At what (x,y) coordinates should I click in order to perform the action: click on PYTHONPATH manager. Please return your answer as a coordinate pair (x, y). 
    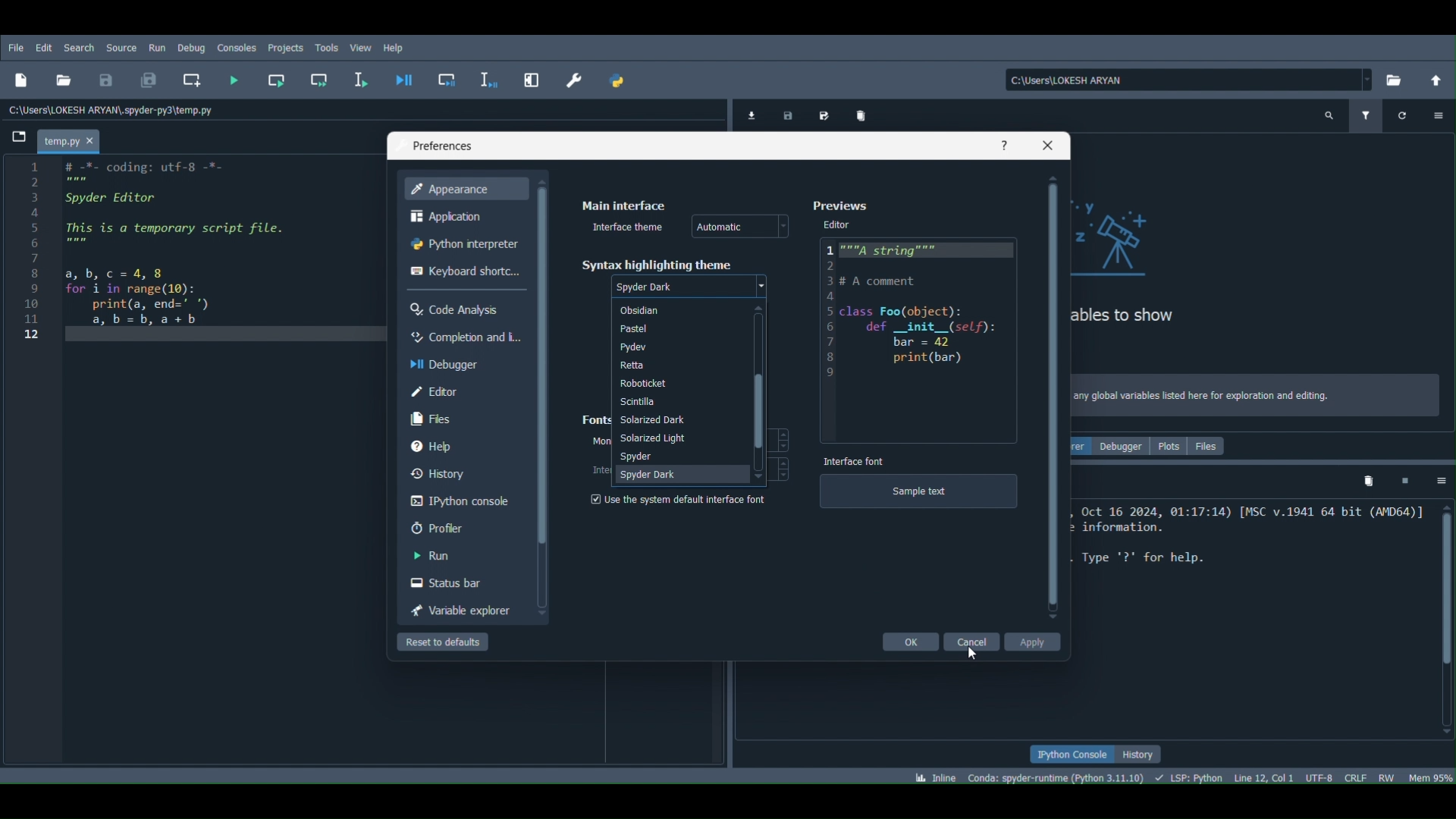
    Looking at the image, I should click on (624, 80).